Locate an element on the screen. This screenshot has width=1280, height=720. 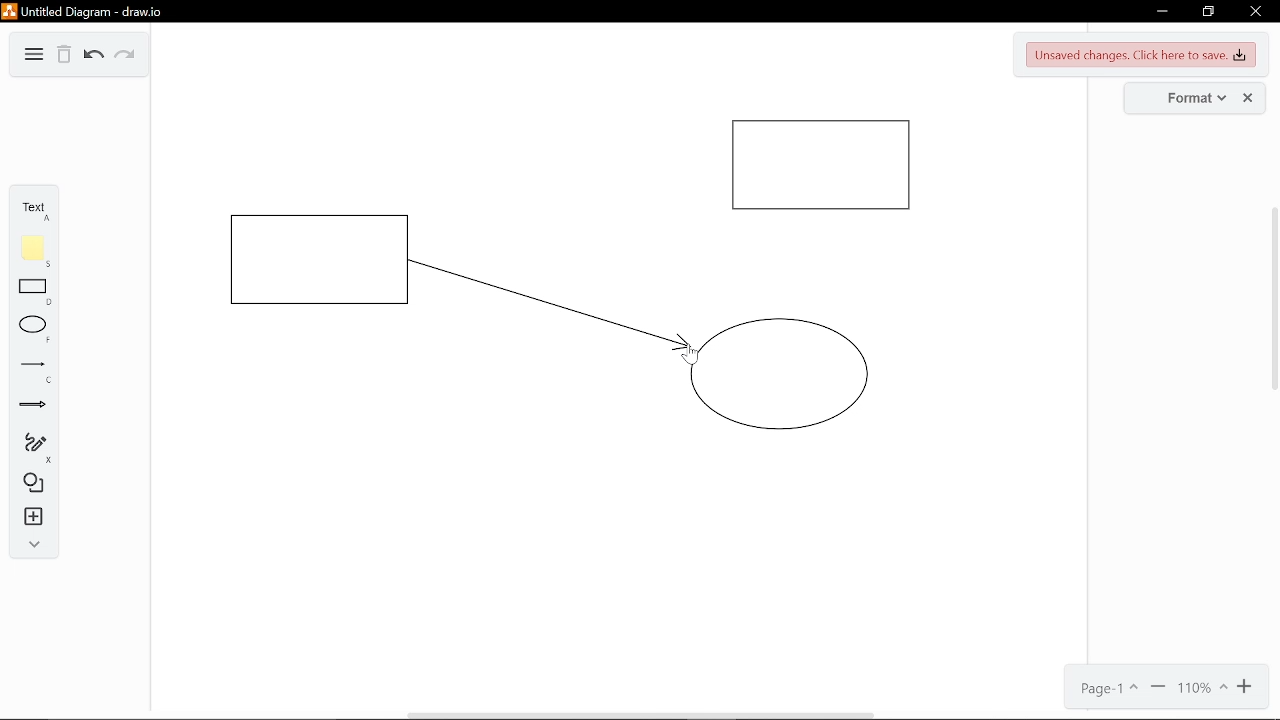
Rectangle is located at coordinates (822, 166).